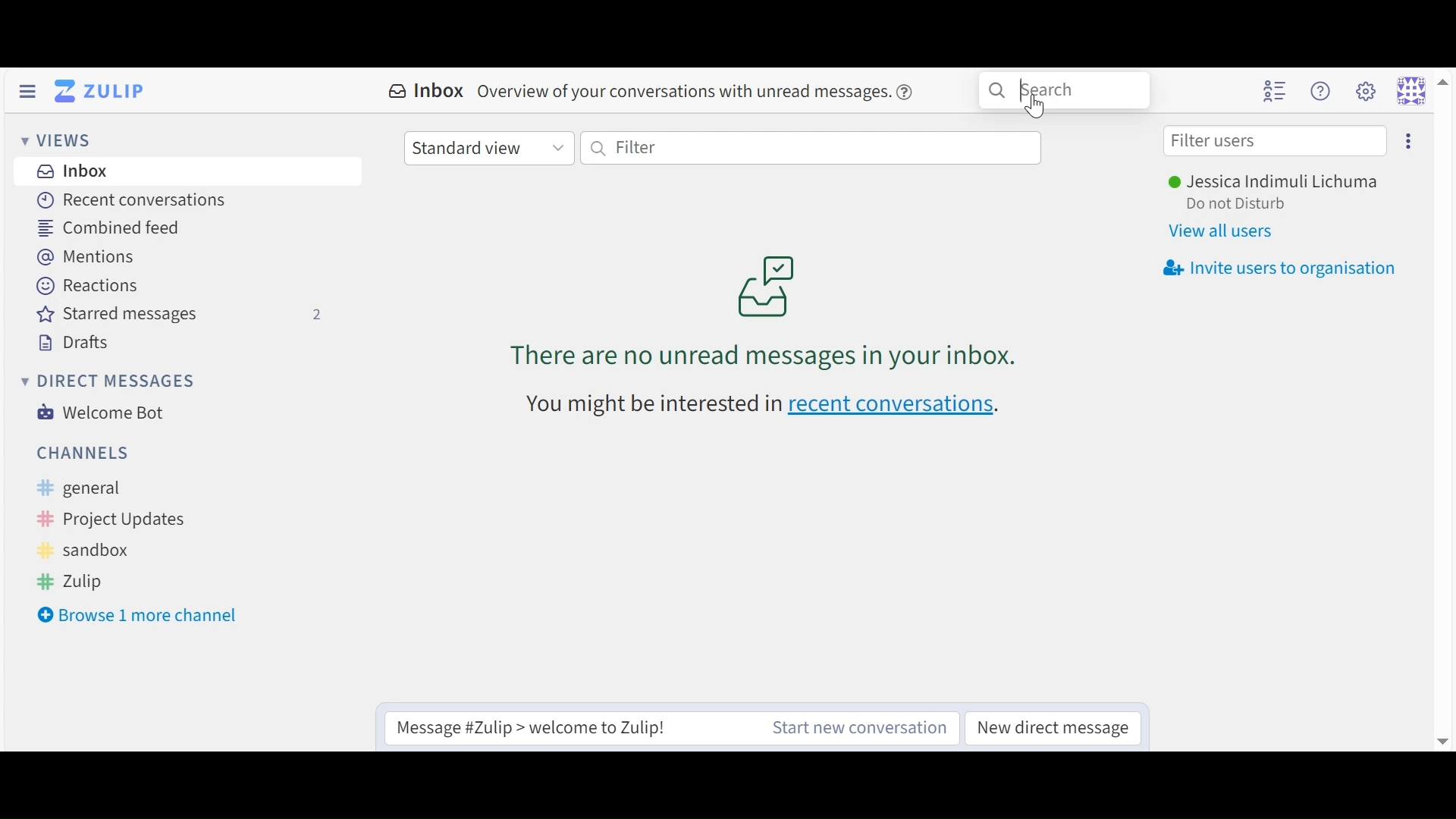 The width and height of the screenshot is (1456, 819). I want to click on Mentions, so click(83, 257).